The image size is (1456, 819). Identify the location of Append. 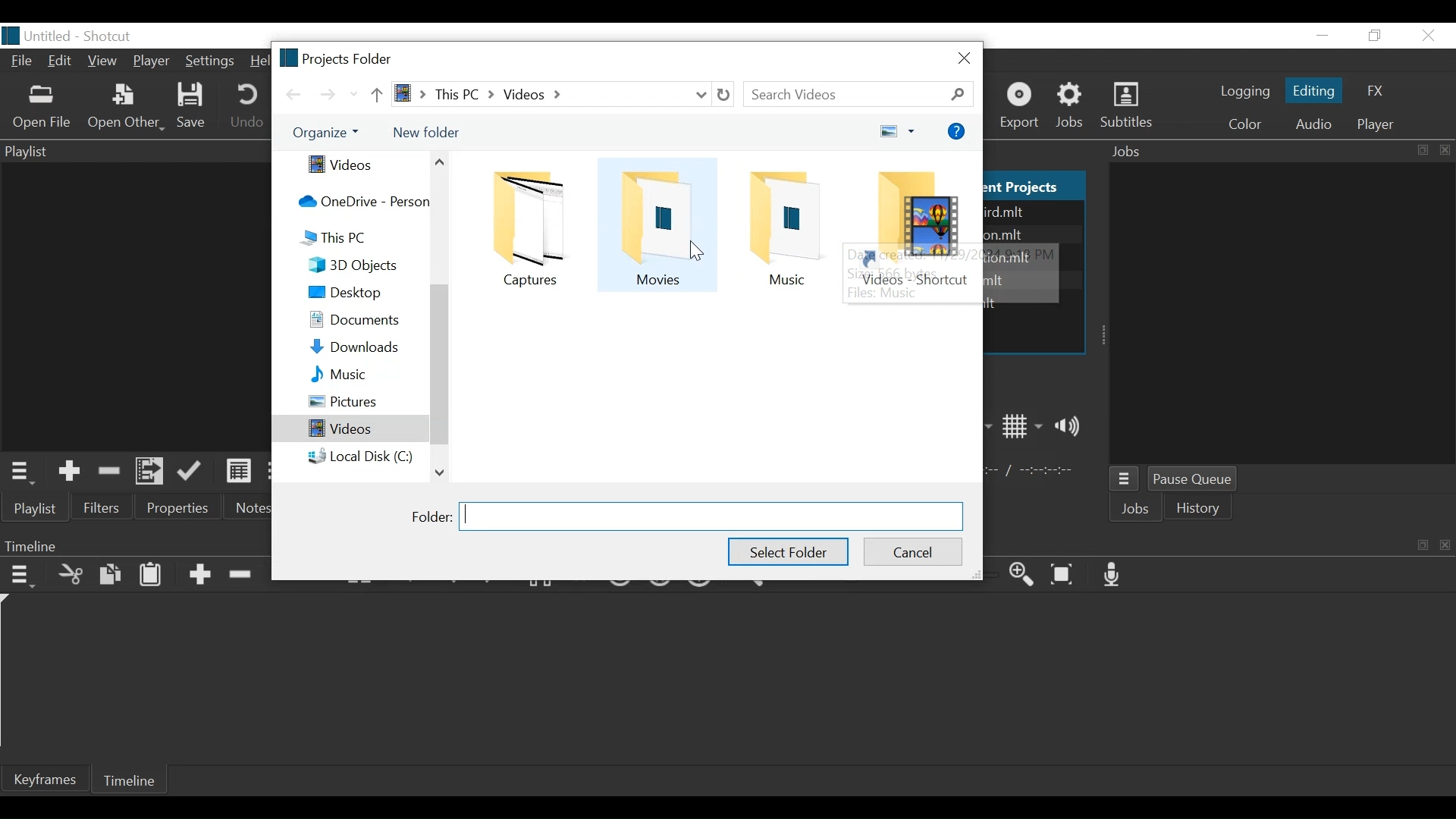
(199, 576).